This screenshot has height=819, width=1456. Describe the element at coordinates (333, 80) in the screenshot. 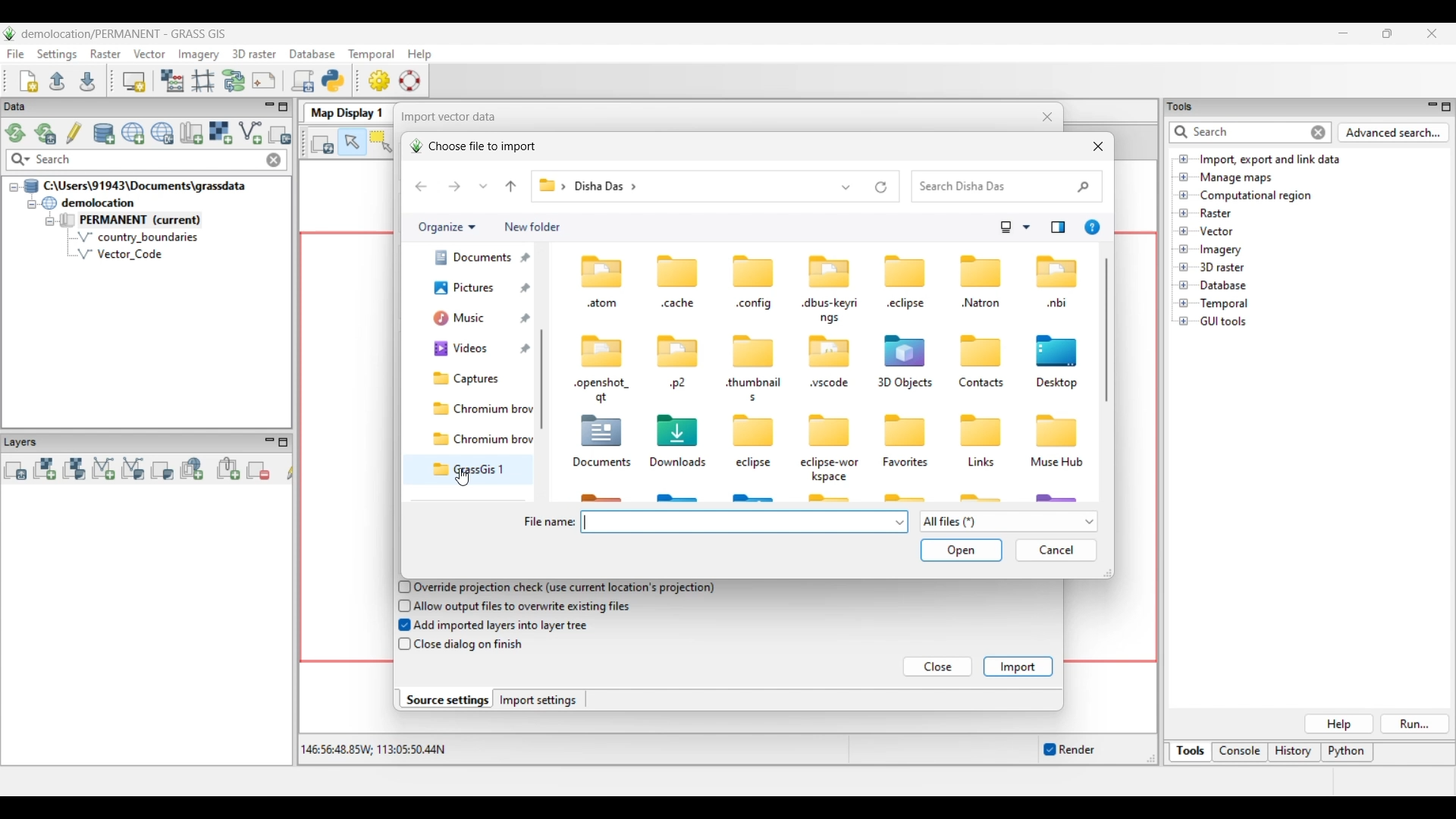

I see `Open a simple python code editor` at that location.